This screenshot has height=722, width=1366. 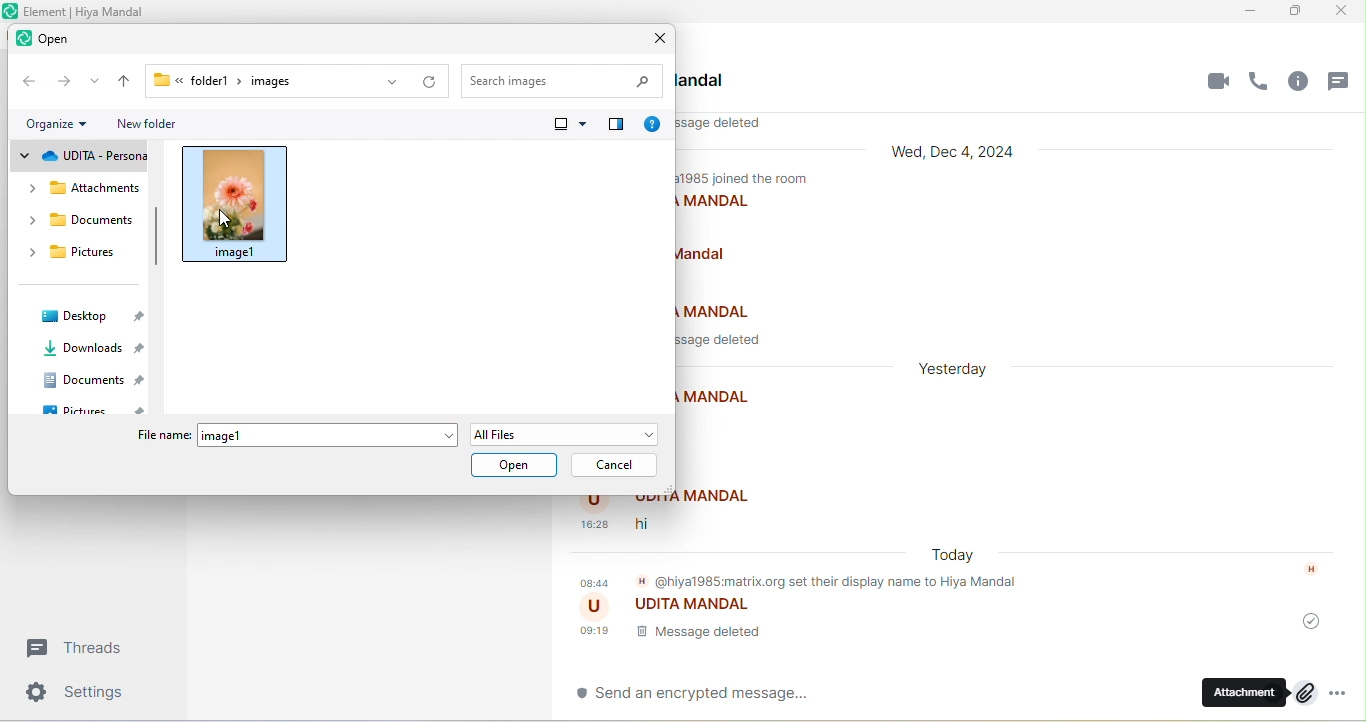 I want to click on today, so click(x=959, y=556).